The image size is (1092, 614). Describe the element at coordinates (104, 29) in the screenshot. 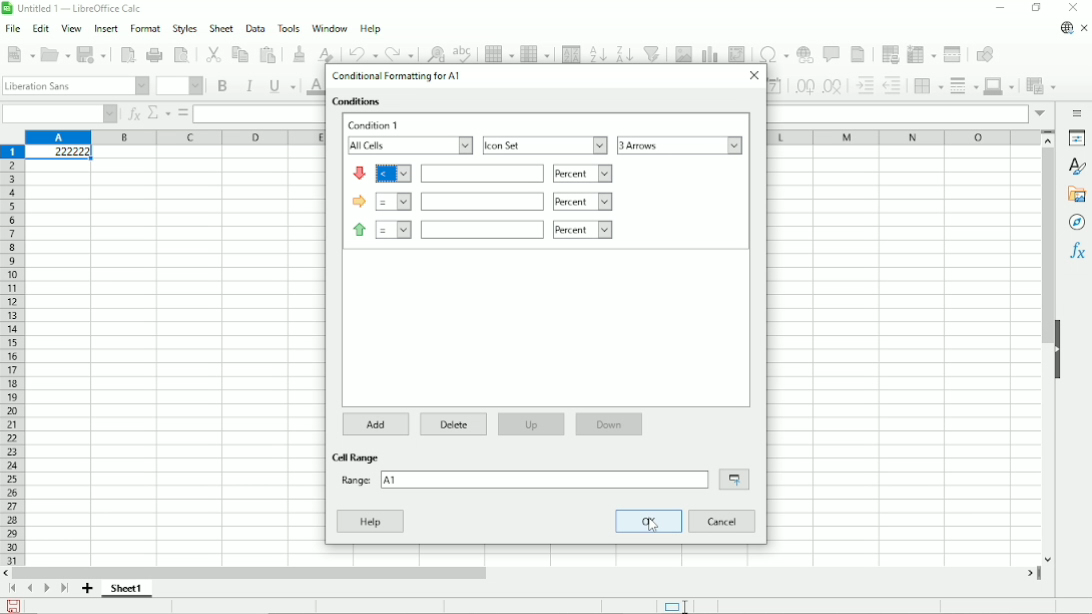

I see `Insert` at that location.